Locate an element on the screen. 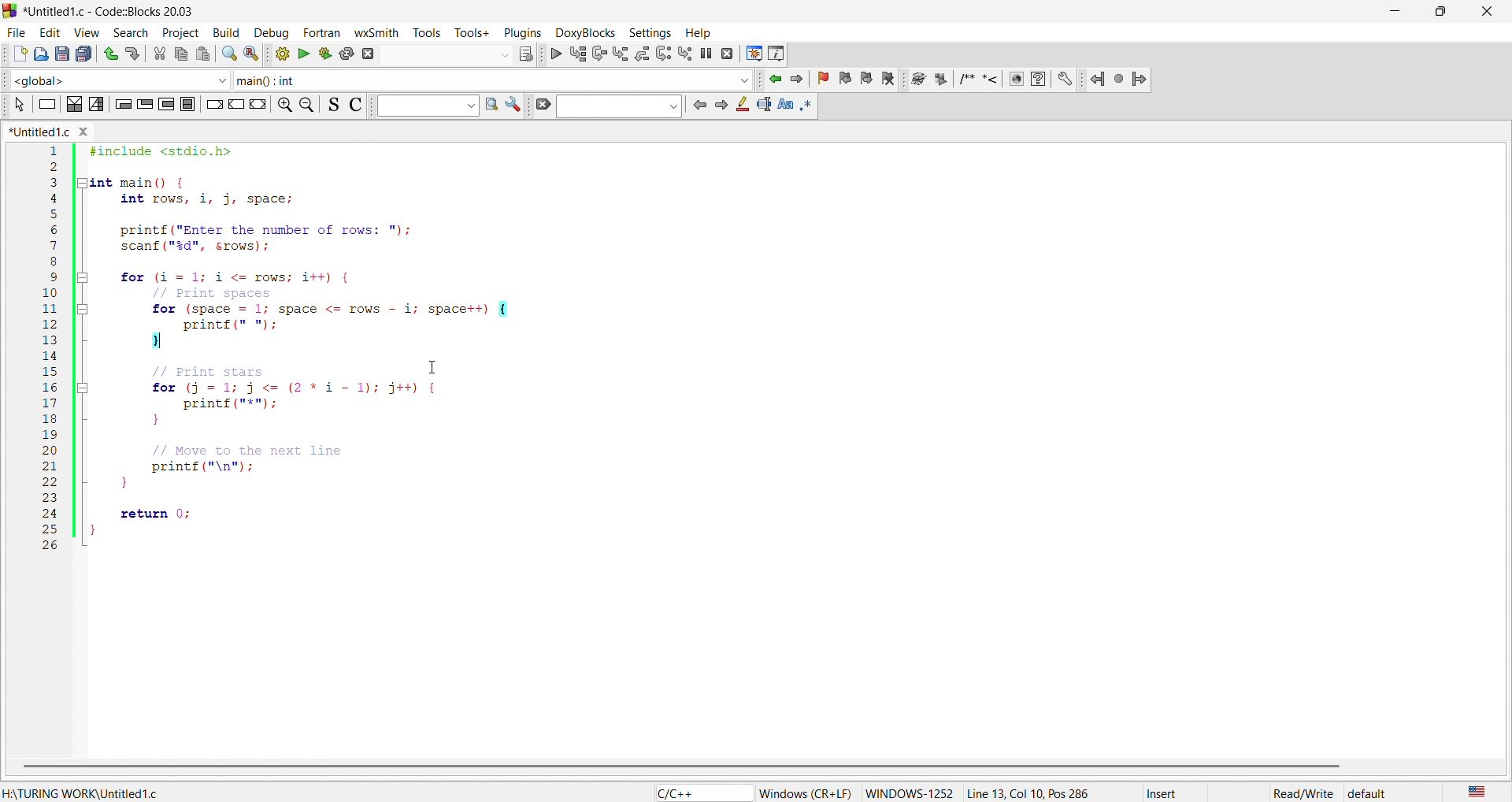 The image size is (1512, 802). undo is located at coordinates (113, 54).